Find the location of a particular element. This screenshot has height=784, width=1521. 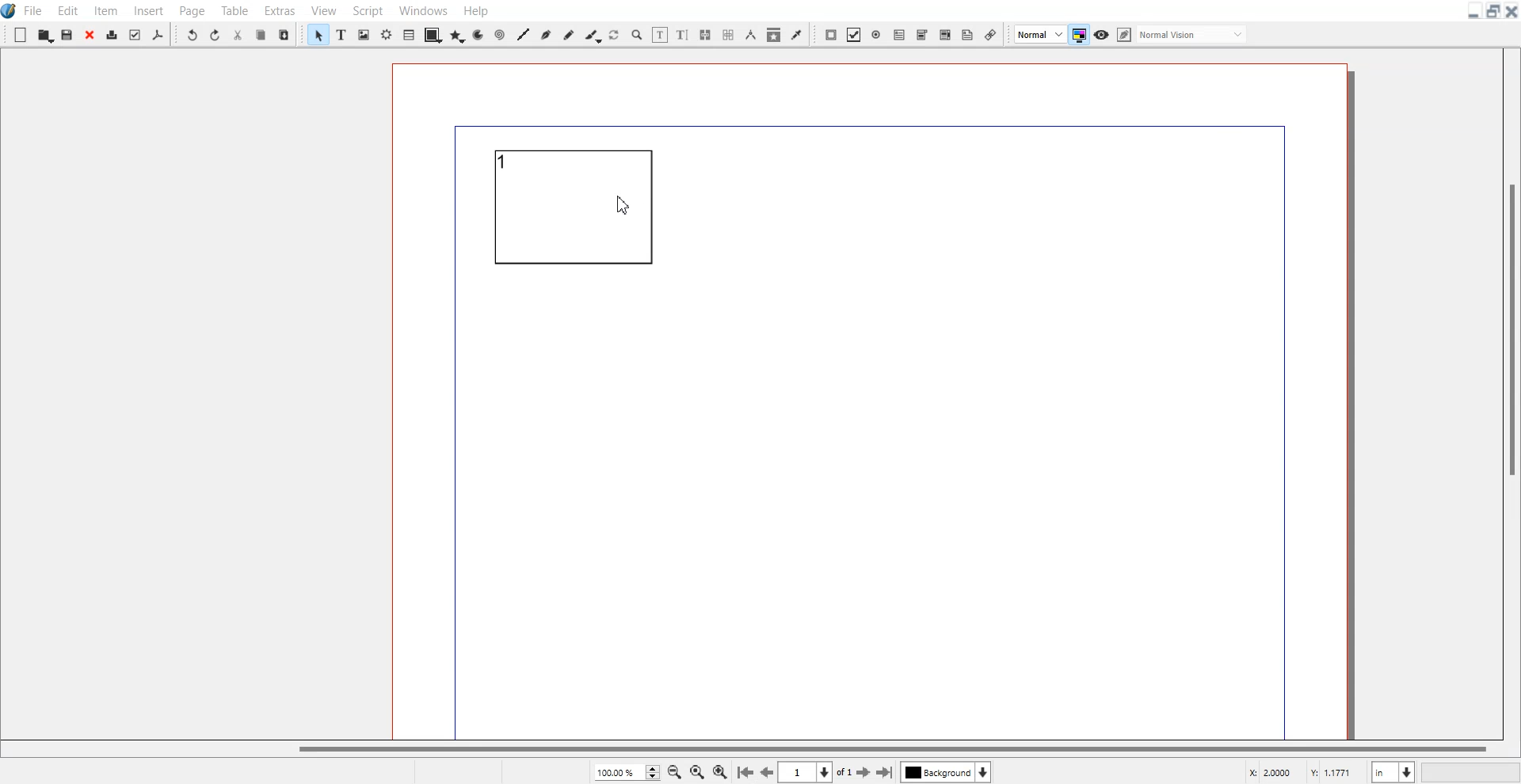

Zoom In to out is located at coordinates (637, 34).